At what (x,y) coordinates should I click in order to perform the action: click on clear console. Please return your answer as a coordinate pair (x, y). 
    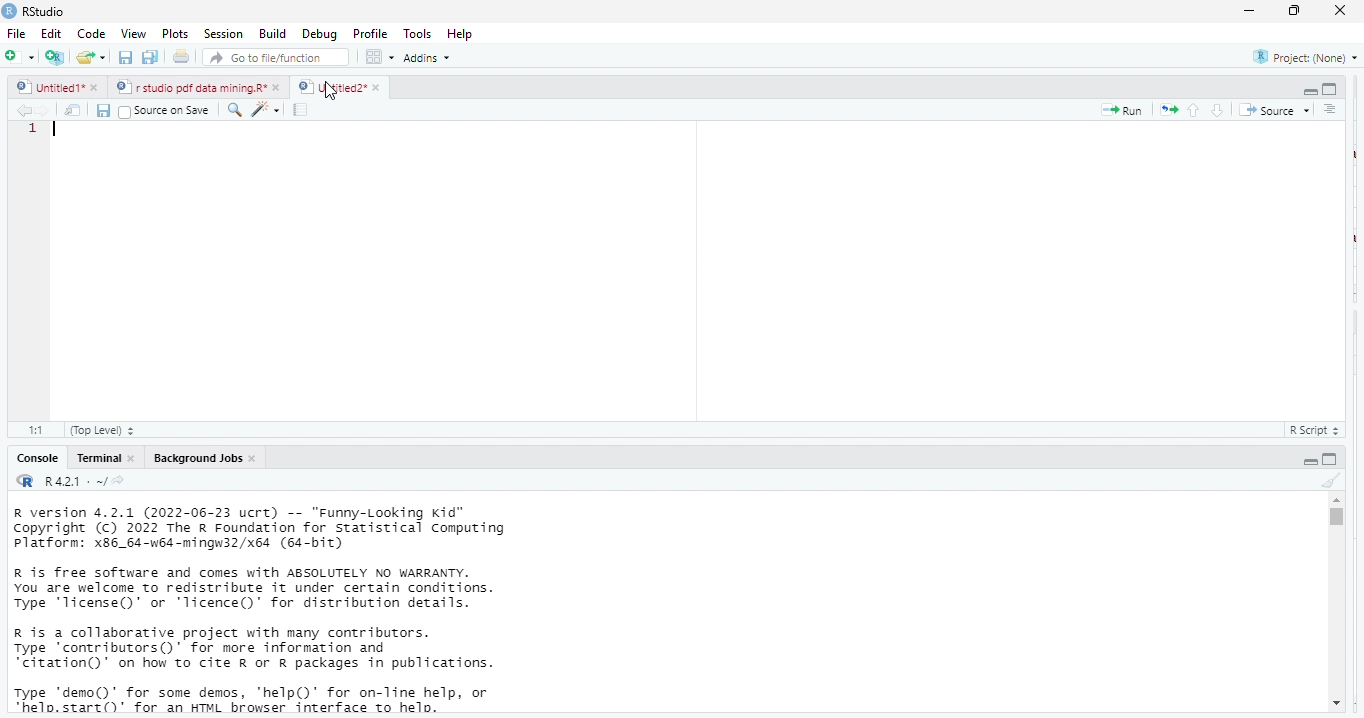
    Looking at the image, I should click on (1330, 478).